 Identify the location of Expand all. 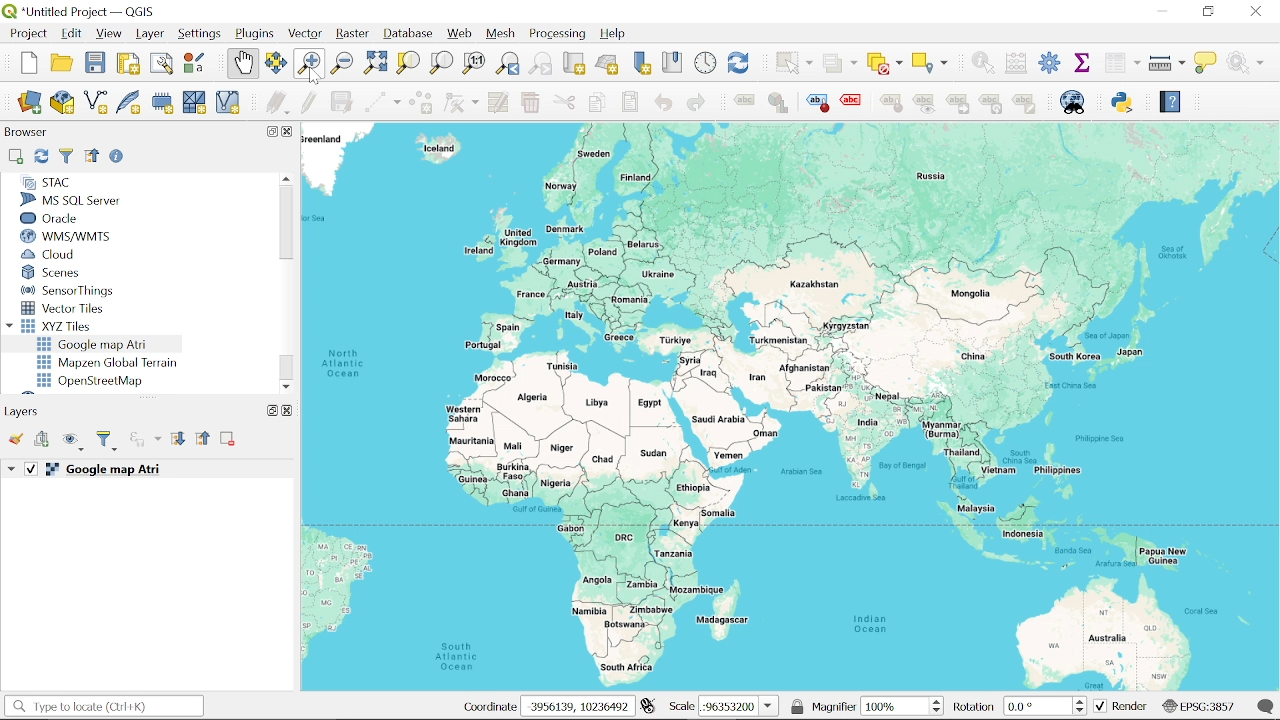
(178, 440).